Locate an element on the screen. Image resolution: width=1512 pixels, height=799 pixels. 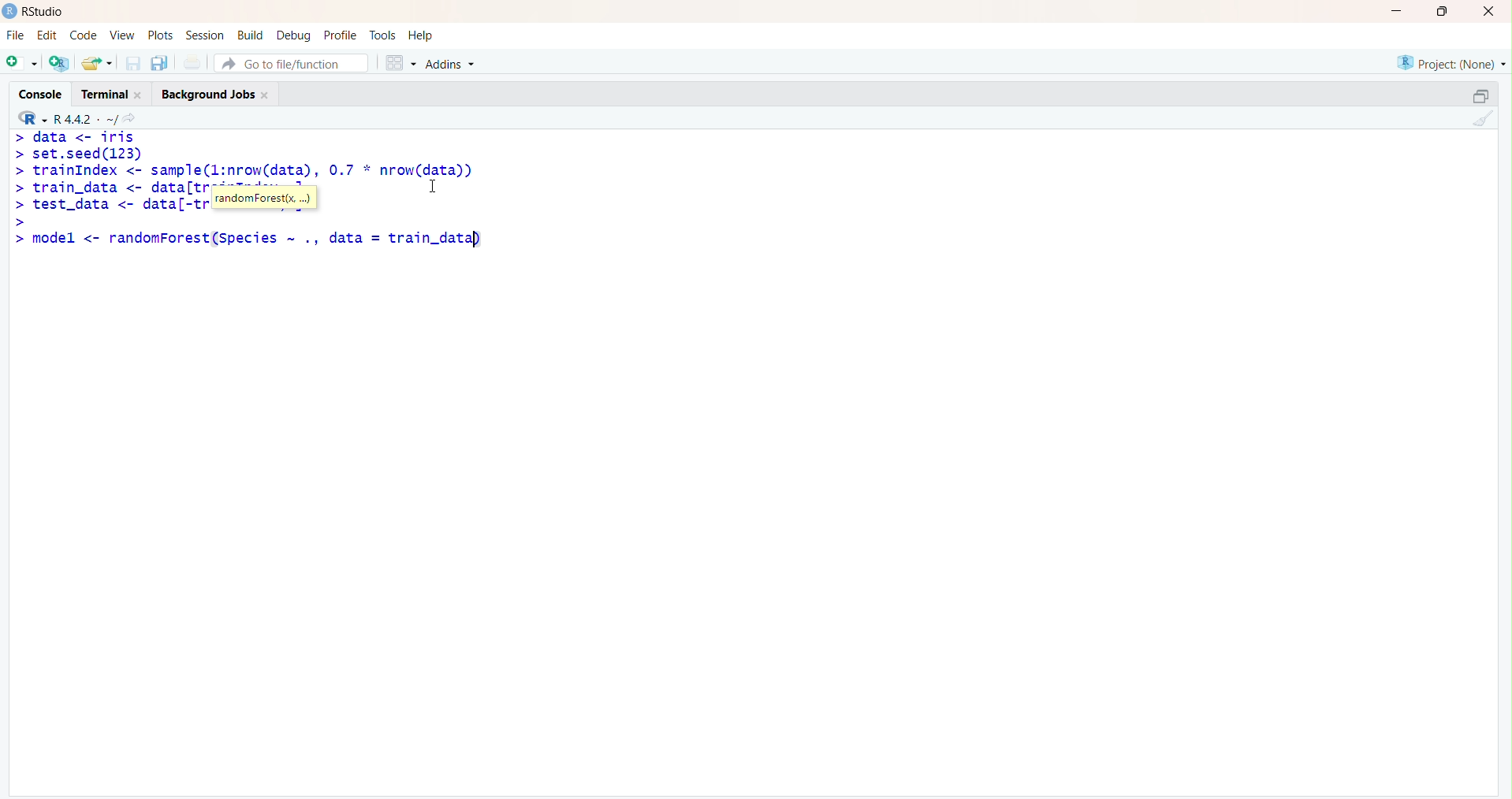
Workspace panes is located at coordinates (397, 61).